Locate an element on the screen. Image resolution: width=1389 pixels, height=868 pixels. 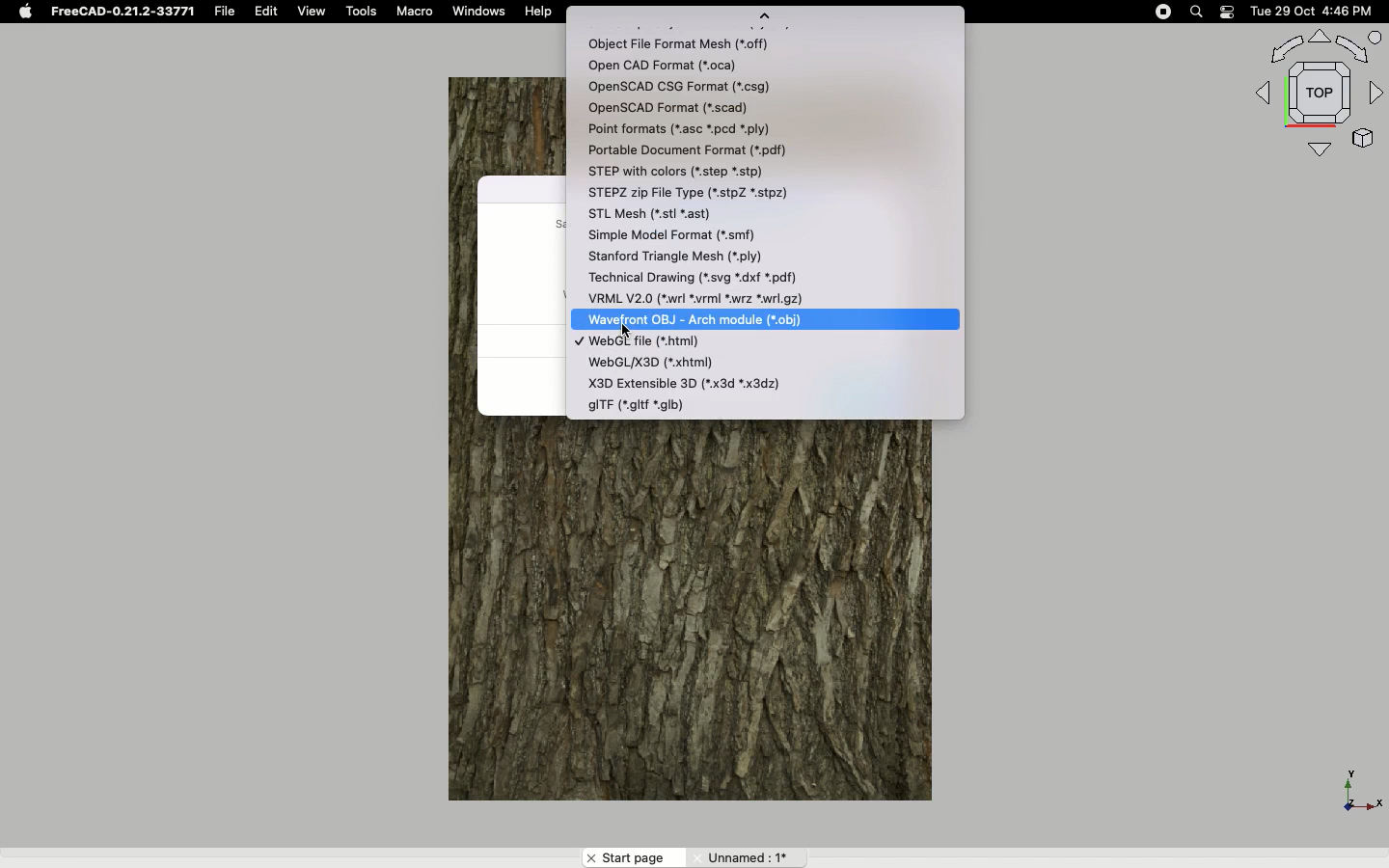
Tue 29 Oct 4:46 PM is located at coordinates (1305, 10).